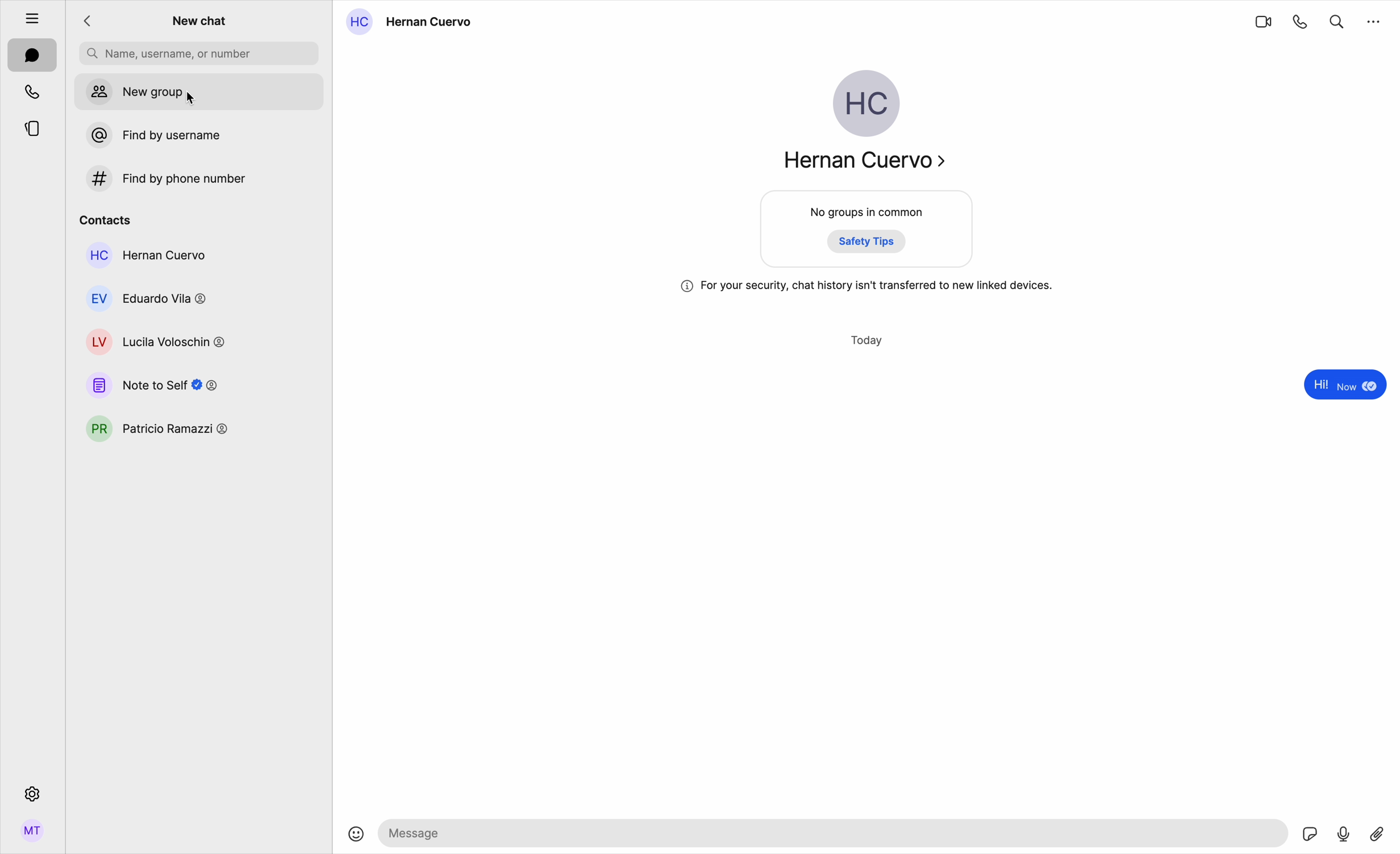 This screenshot has height=854, width=1400. What do you see at coordinates (145, 255) in the screenshot?
I see `Hernan Cuervo` at bounding box center [145, 255].